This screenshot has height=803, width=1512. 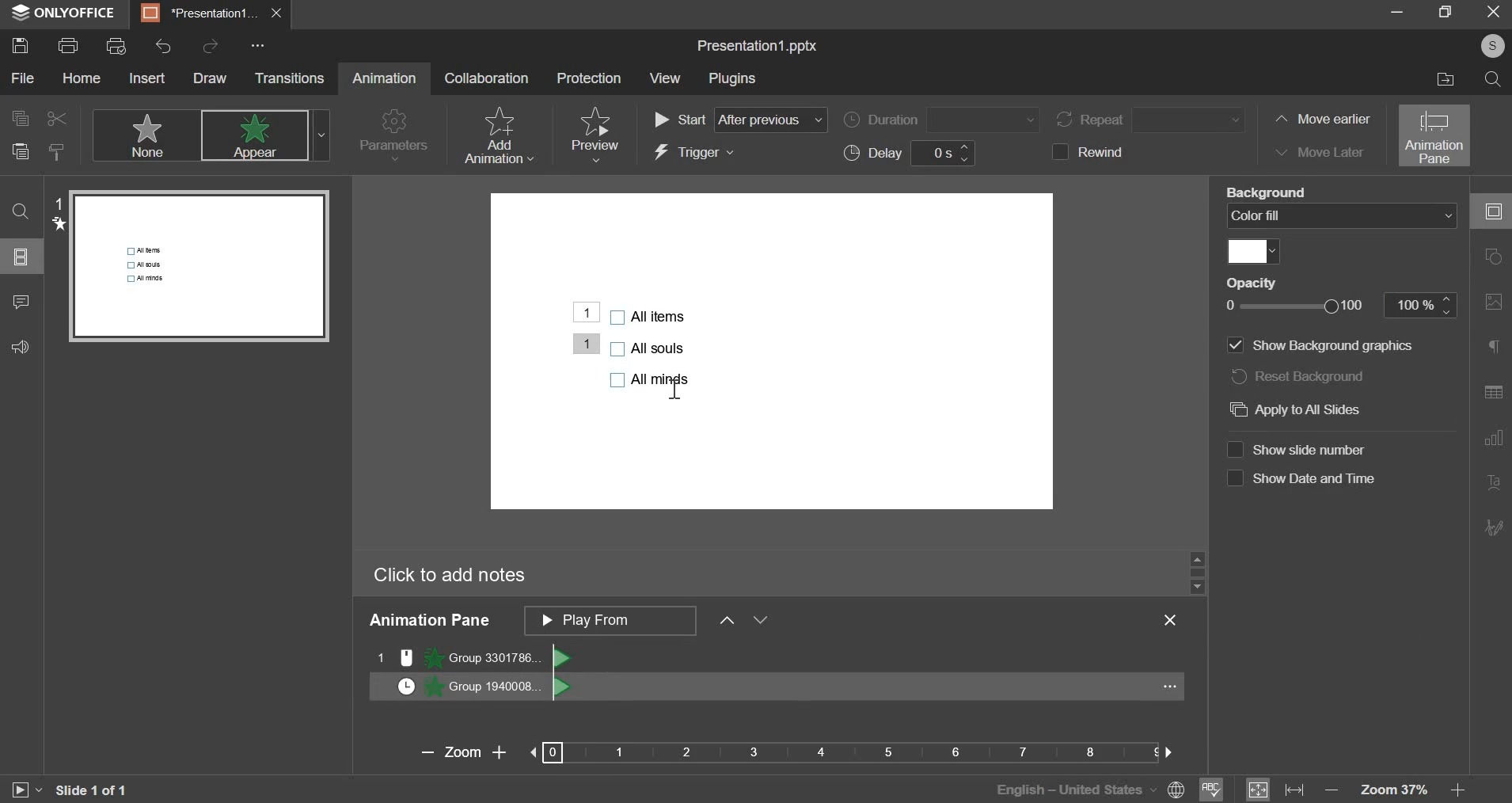 I want to click on language, so click(x=1084, y=788).